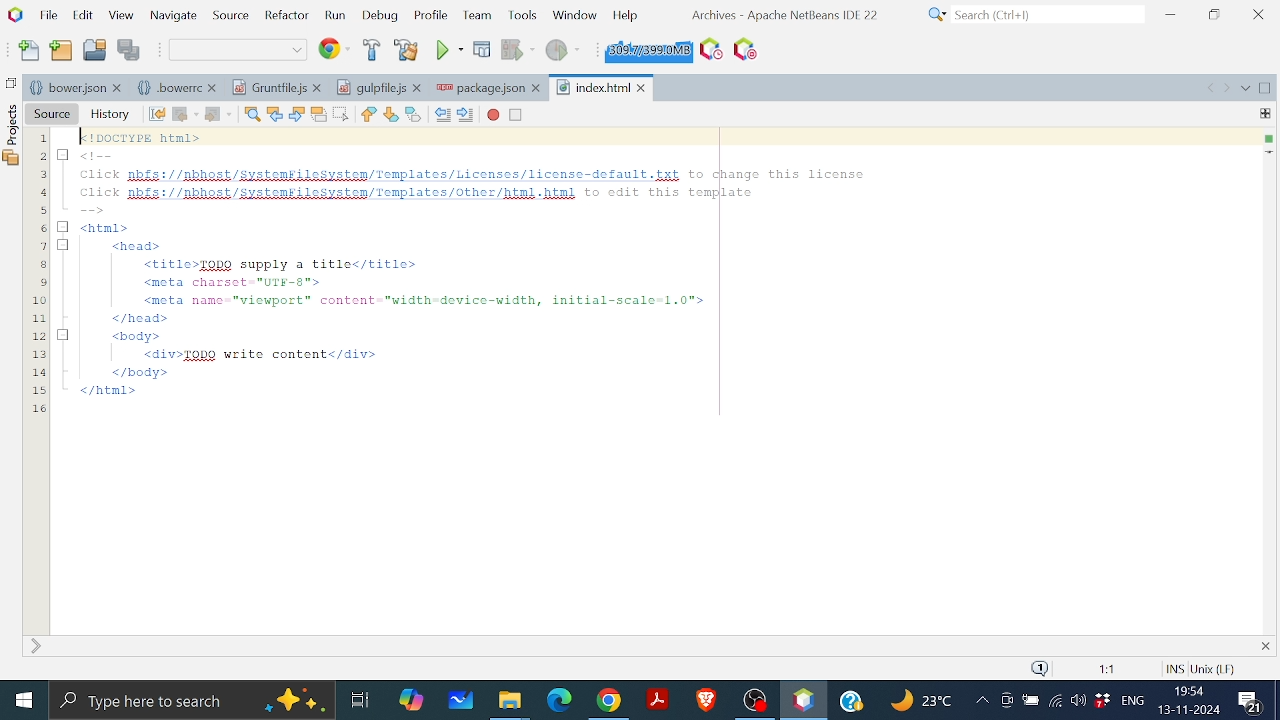 The height and width of the screenshot is (720, 1280). What do you see at coordinates (1054, 703) in the screenshot?
I see `Internet Access` at bounding box center [1054, 703].